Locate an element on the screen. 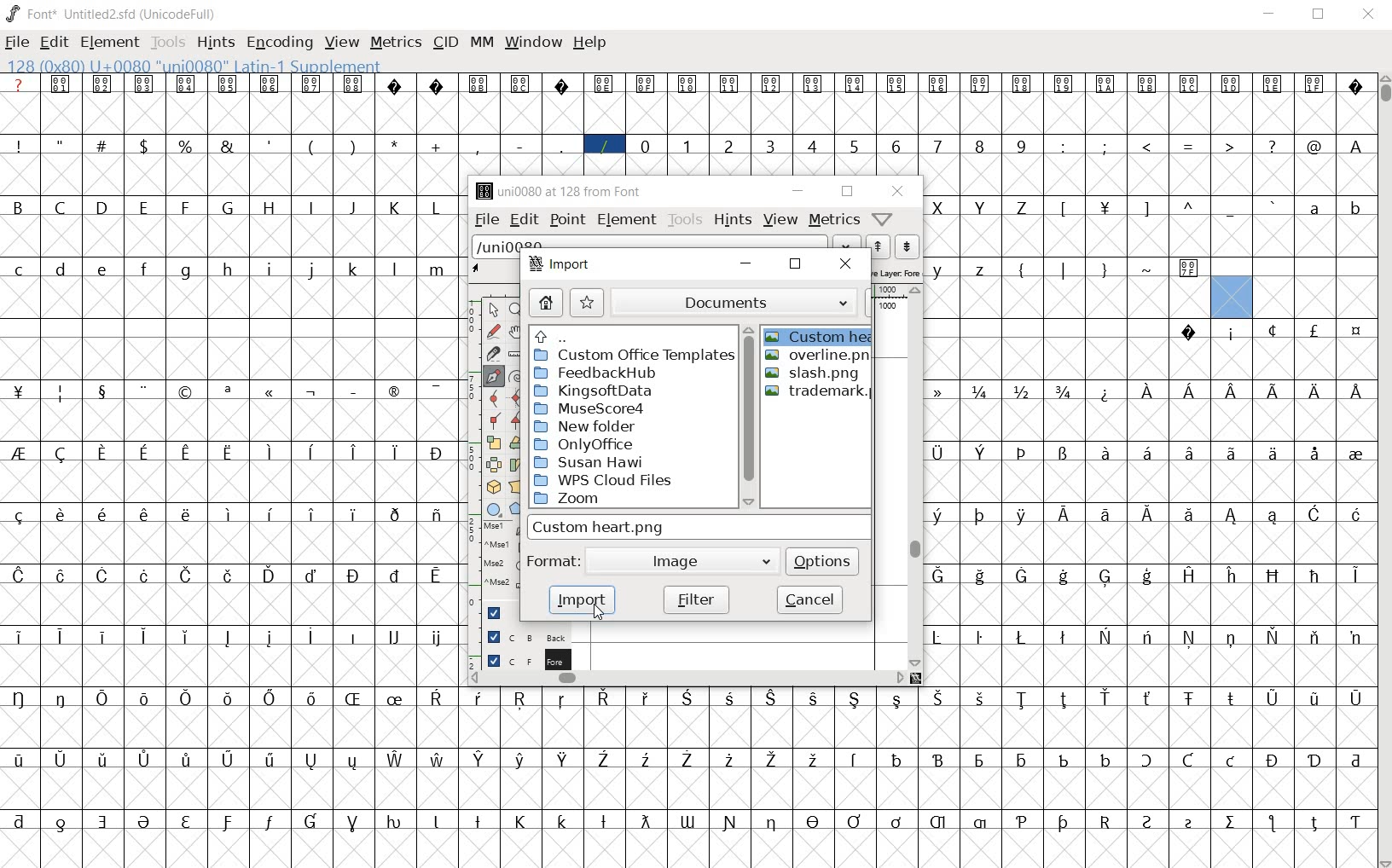  glyph slot is located at coordinates (1229, 297).